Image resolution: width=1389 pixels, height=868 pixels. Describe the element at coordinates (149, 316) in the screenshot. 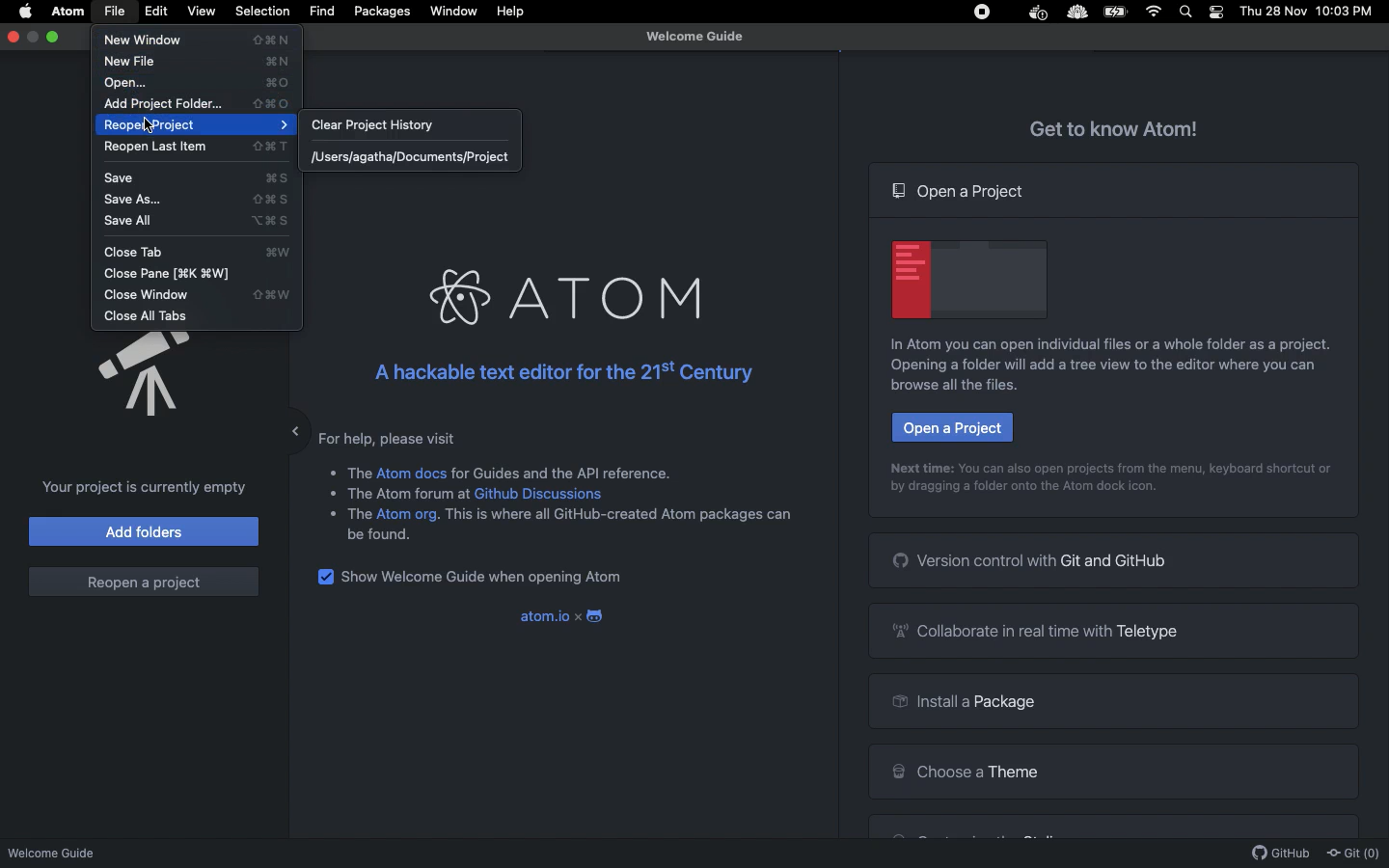

I see `Close all tabs` at that location.